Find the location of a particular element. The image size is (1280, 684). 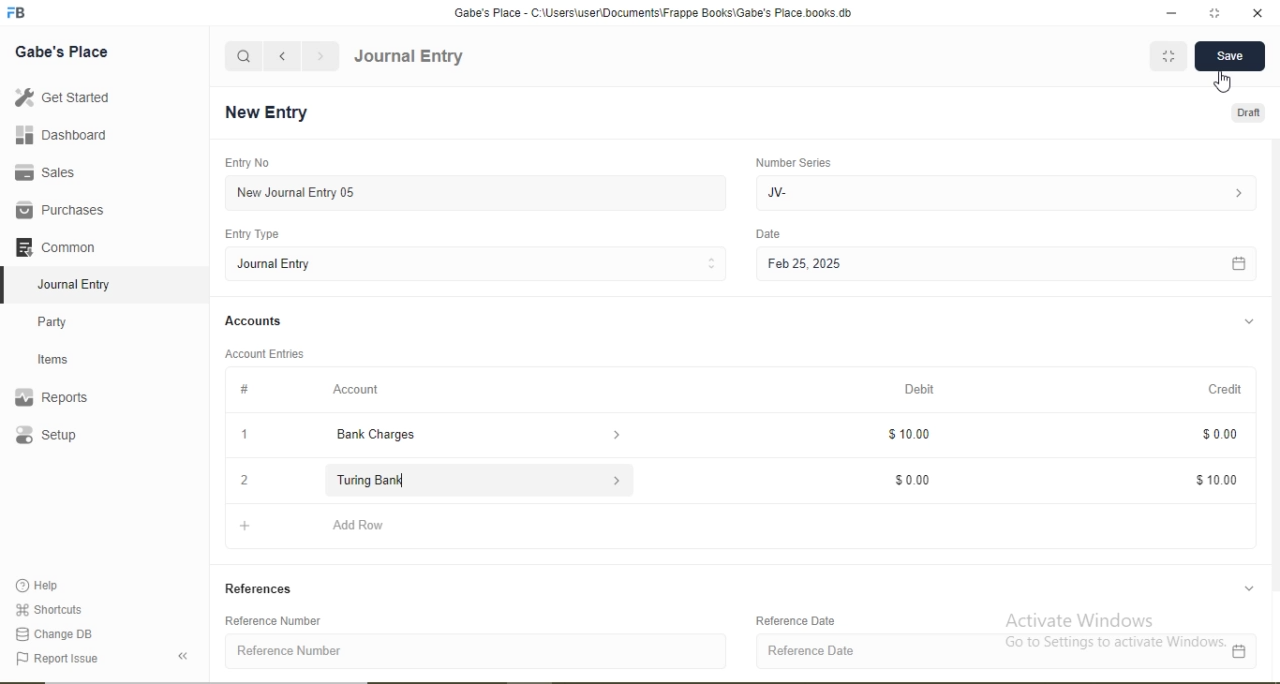

Sales is located at coordinates (54, 172).